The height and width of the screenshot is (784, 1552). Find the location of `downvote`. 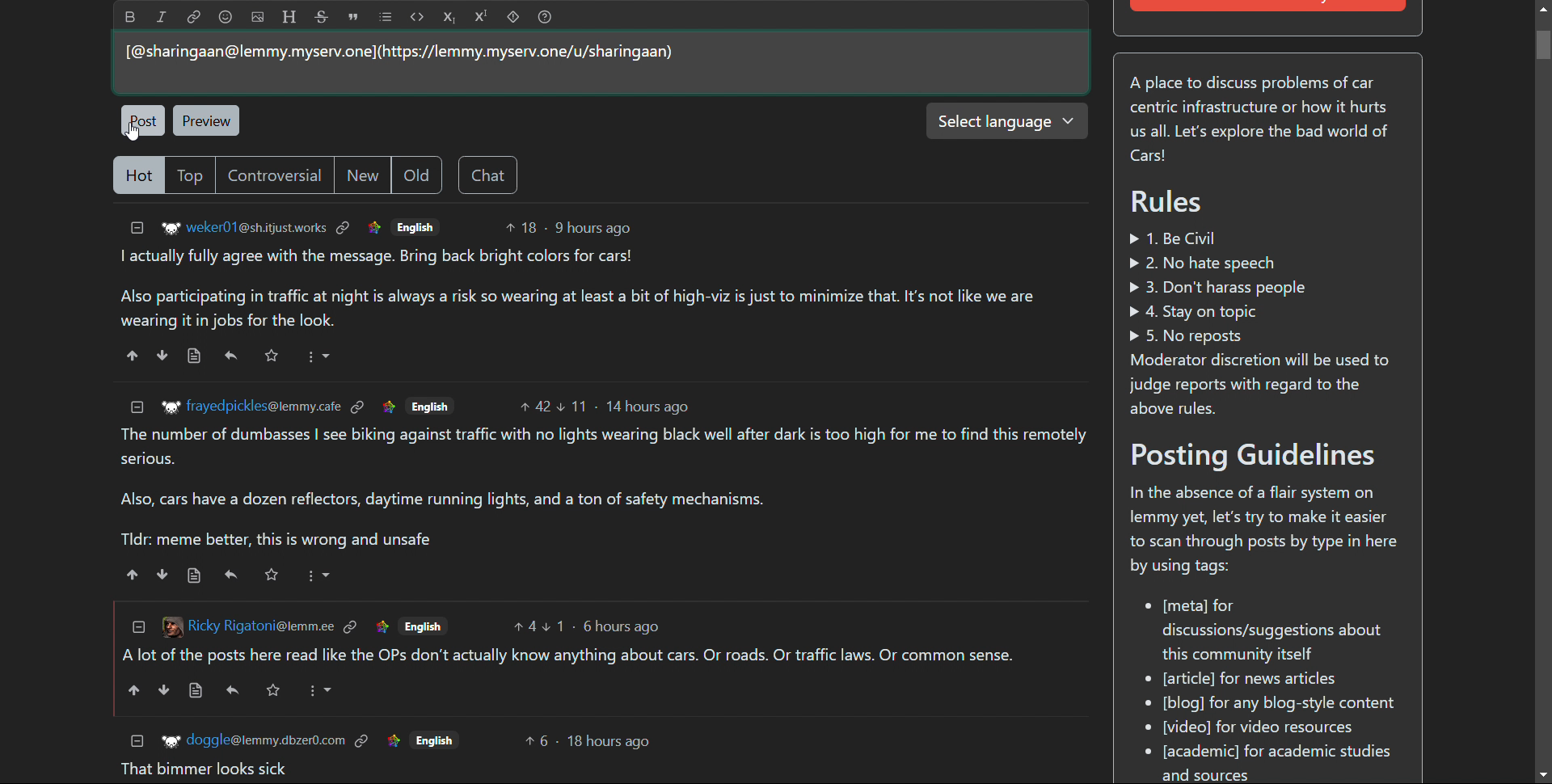

downvote is located at coordinates (163, 690).